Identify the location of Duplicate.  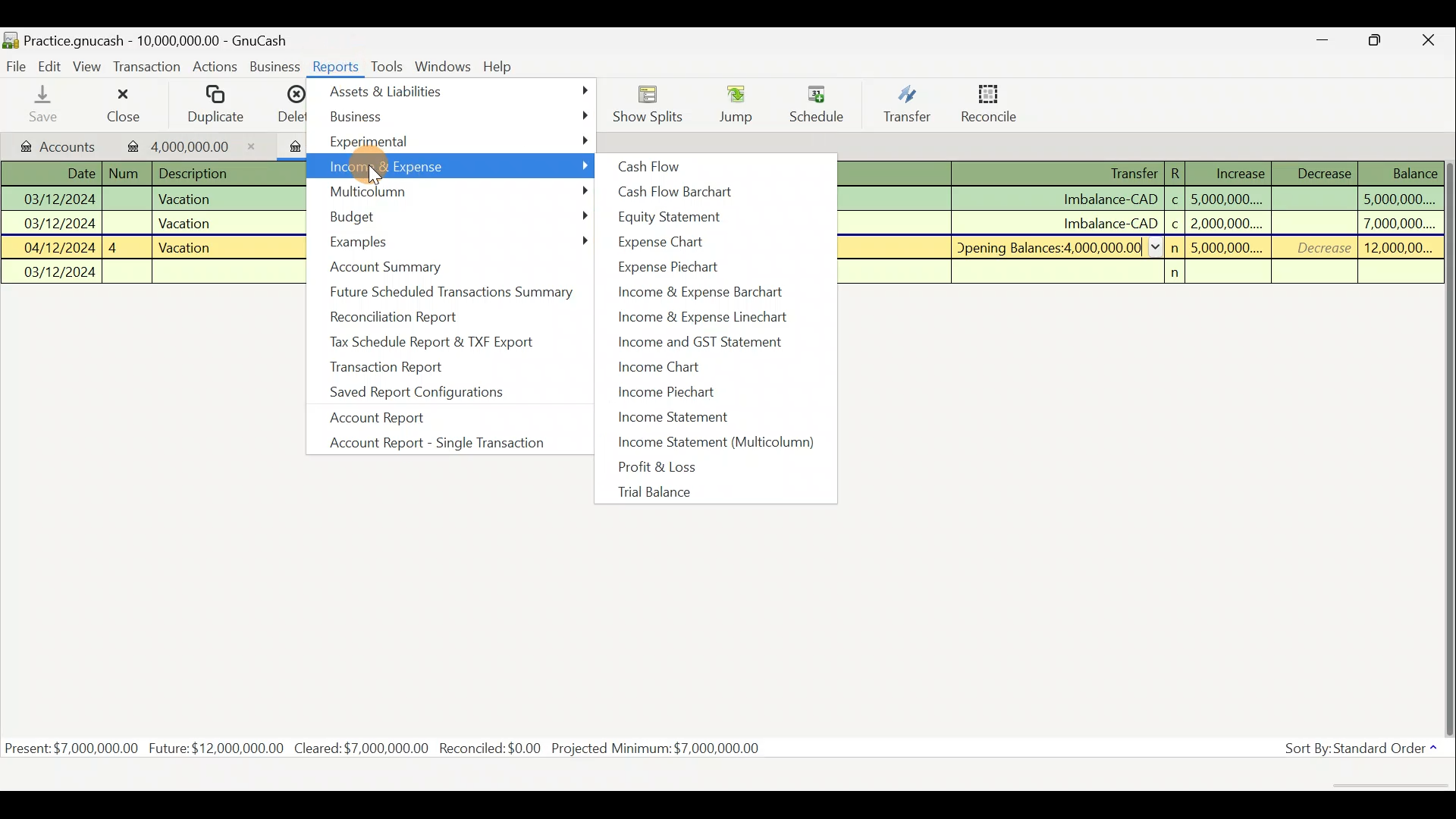
(213, 104).